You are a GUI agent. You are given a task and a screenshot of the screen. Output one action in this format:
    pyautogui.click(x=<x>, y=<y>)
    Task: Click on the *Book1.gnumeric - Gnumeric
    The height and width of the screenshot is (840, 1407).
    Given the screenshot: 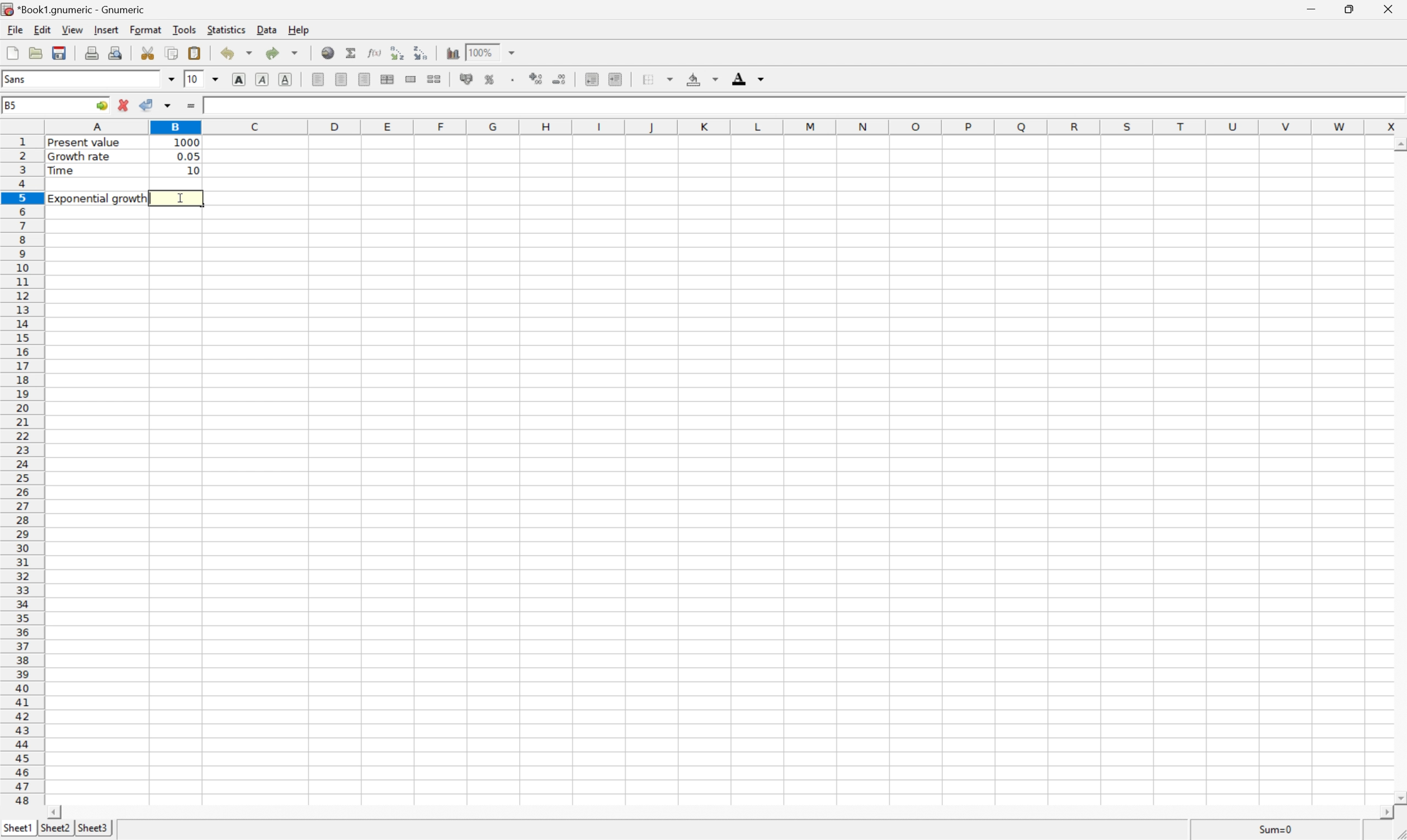 What is the action you would take?
    pyautogui.click(x=76, y=8)
    